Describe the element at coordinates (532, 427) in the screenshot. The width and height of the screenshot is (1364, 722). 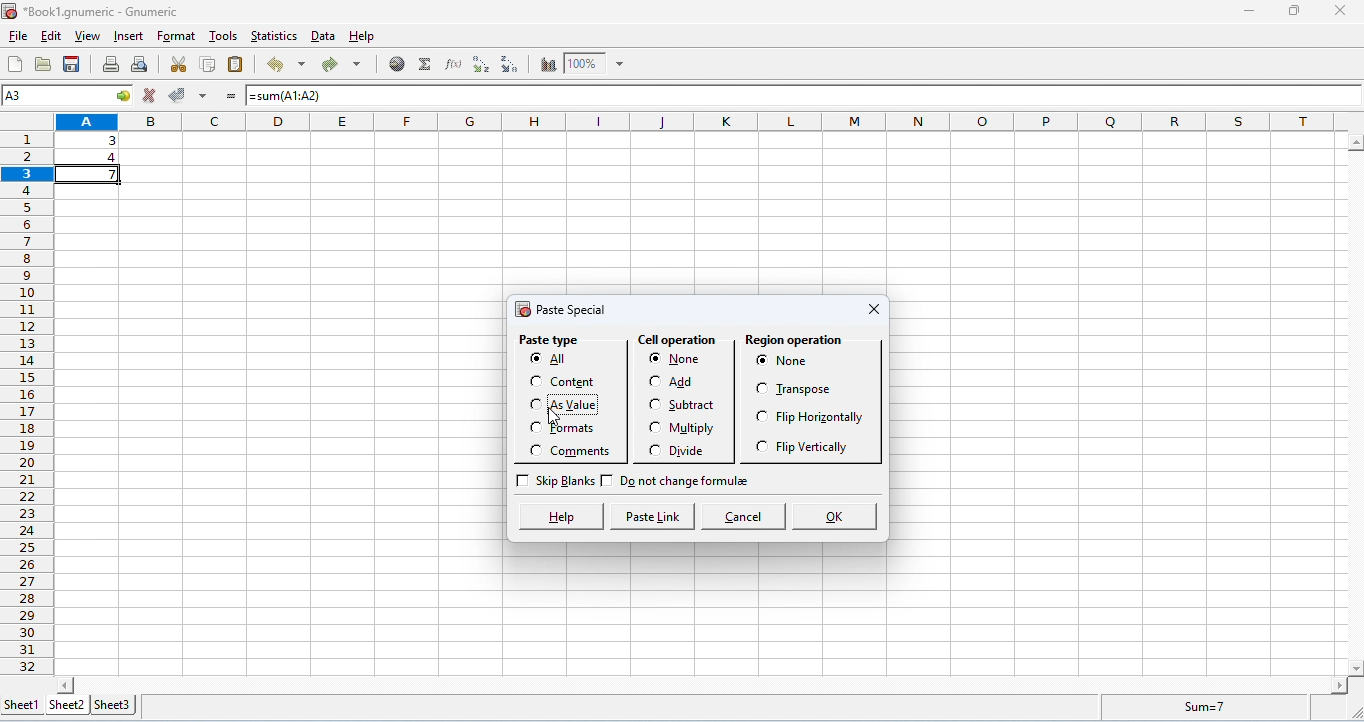
I see `Checkbox` at that location.